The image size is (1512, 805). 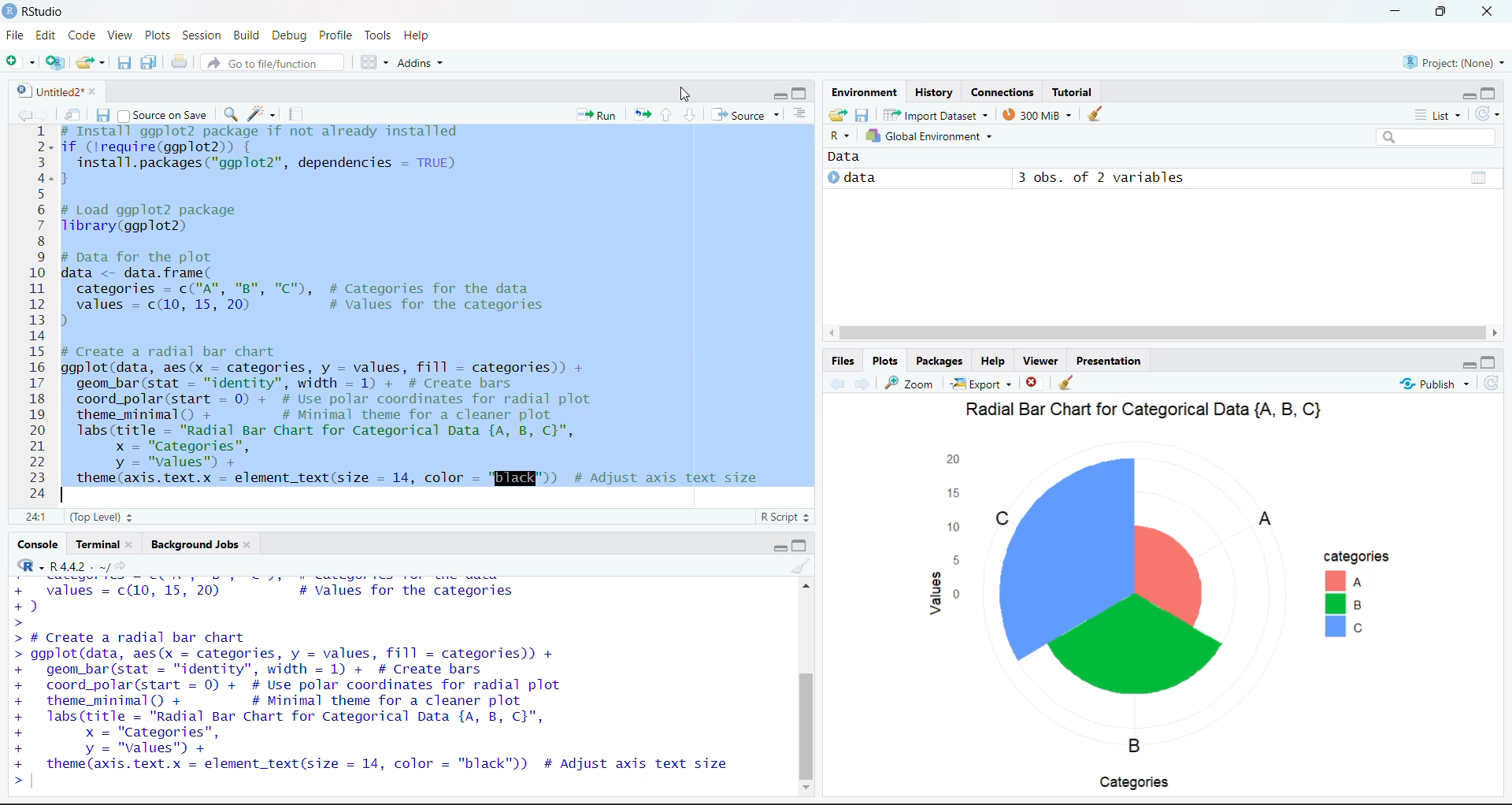 I want to click on Files, so click(x=844, y=362).